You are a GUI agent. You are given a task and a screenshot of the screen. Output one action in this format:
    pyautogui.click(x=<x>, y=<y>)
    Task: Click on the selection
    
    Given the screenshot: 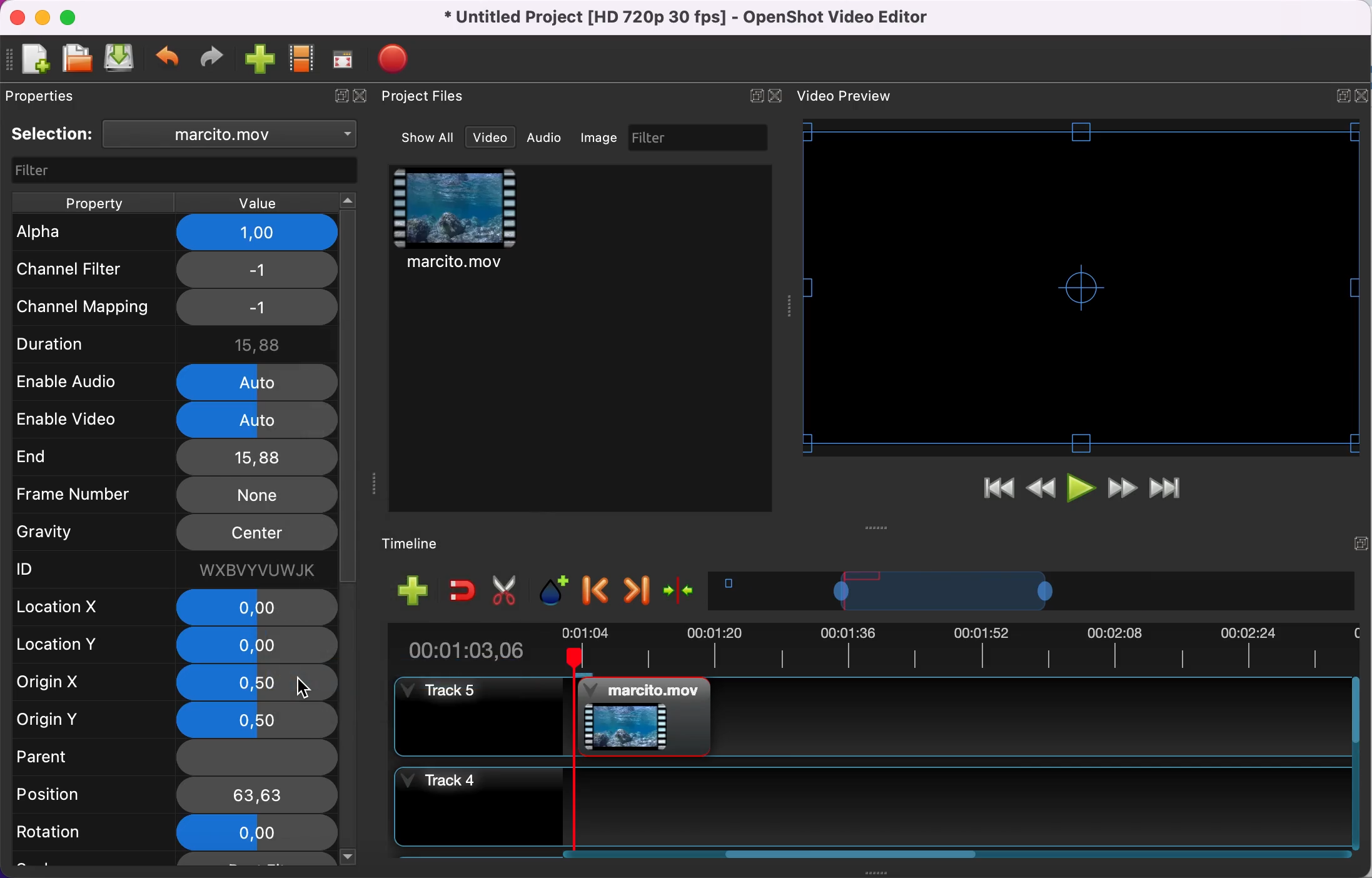 What is the action you would take?
    pyautogui.click(x=53, y=134)
    